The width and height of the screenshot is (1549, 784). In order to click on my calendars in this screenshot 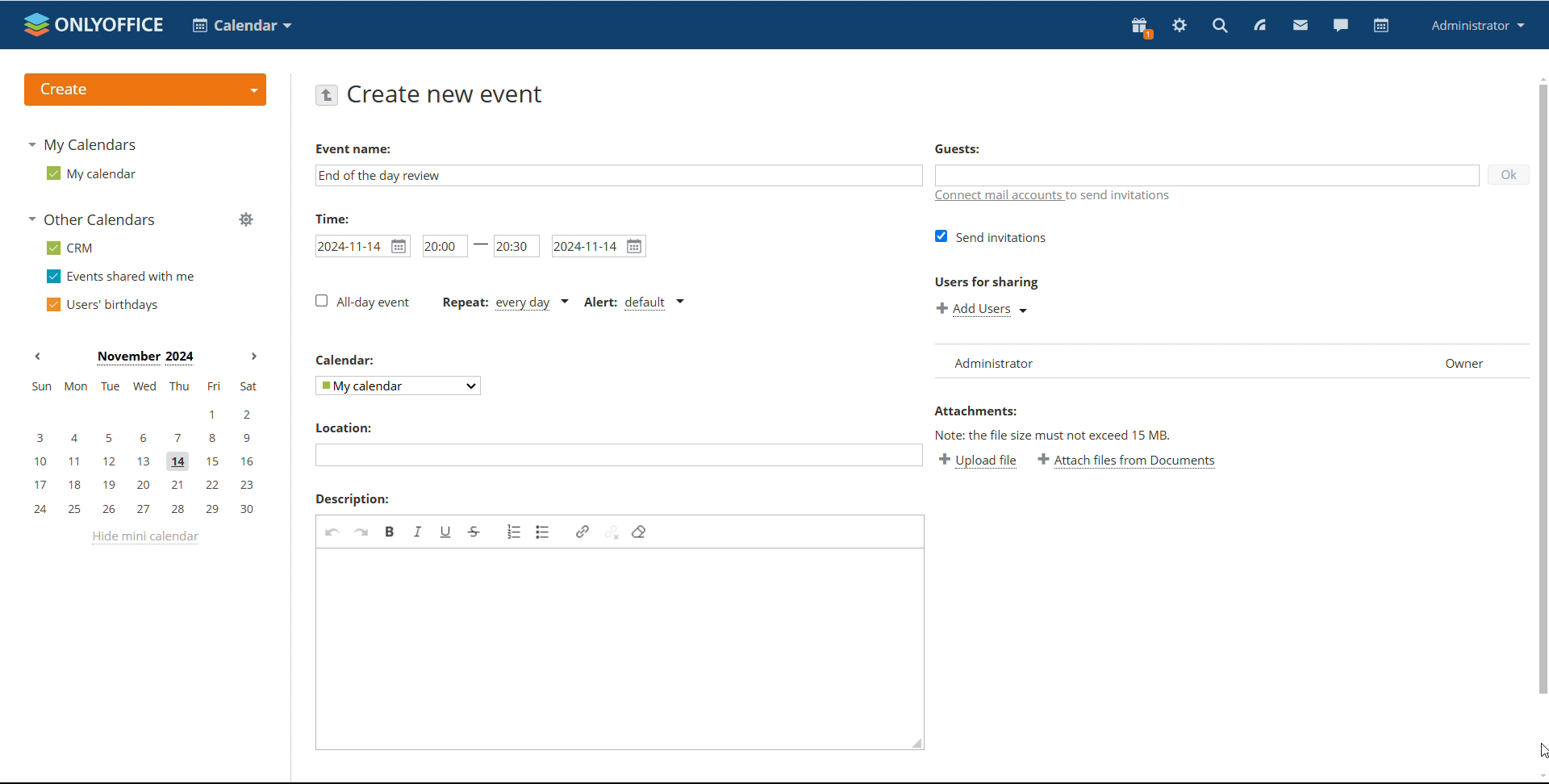, I will do `click(81, 144)`.